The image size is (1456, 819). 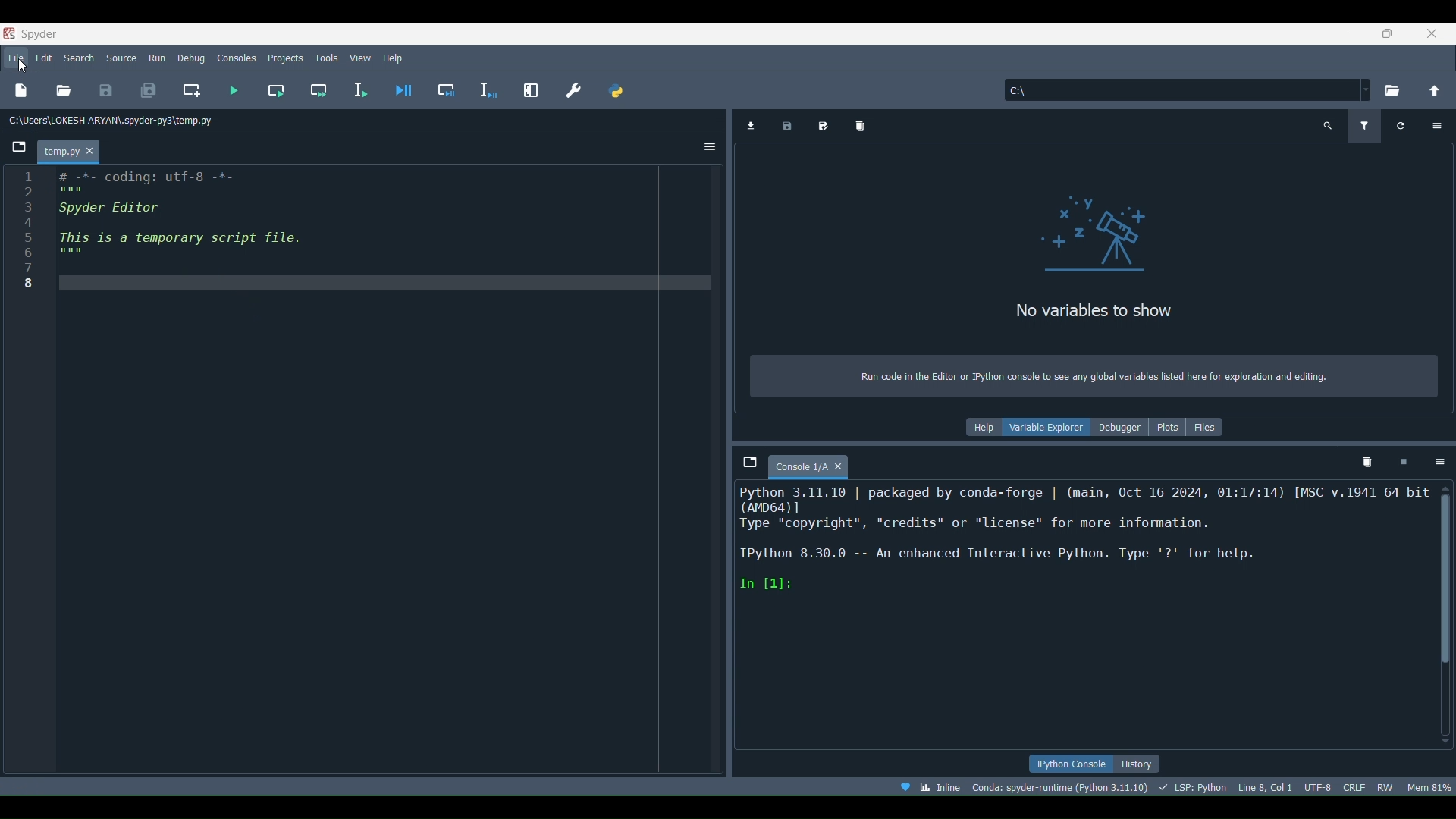 What do you see at coordinates (77, 57) in the screenshot?
I see `Search` at bounding box center [77, 57].